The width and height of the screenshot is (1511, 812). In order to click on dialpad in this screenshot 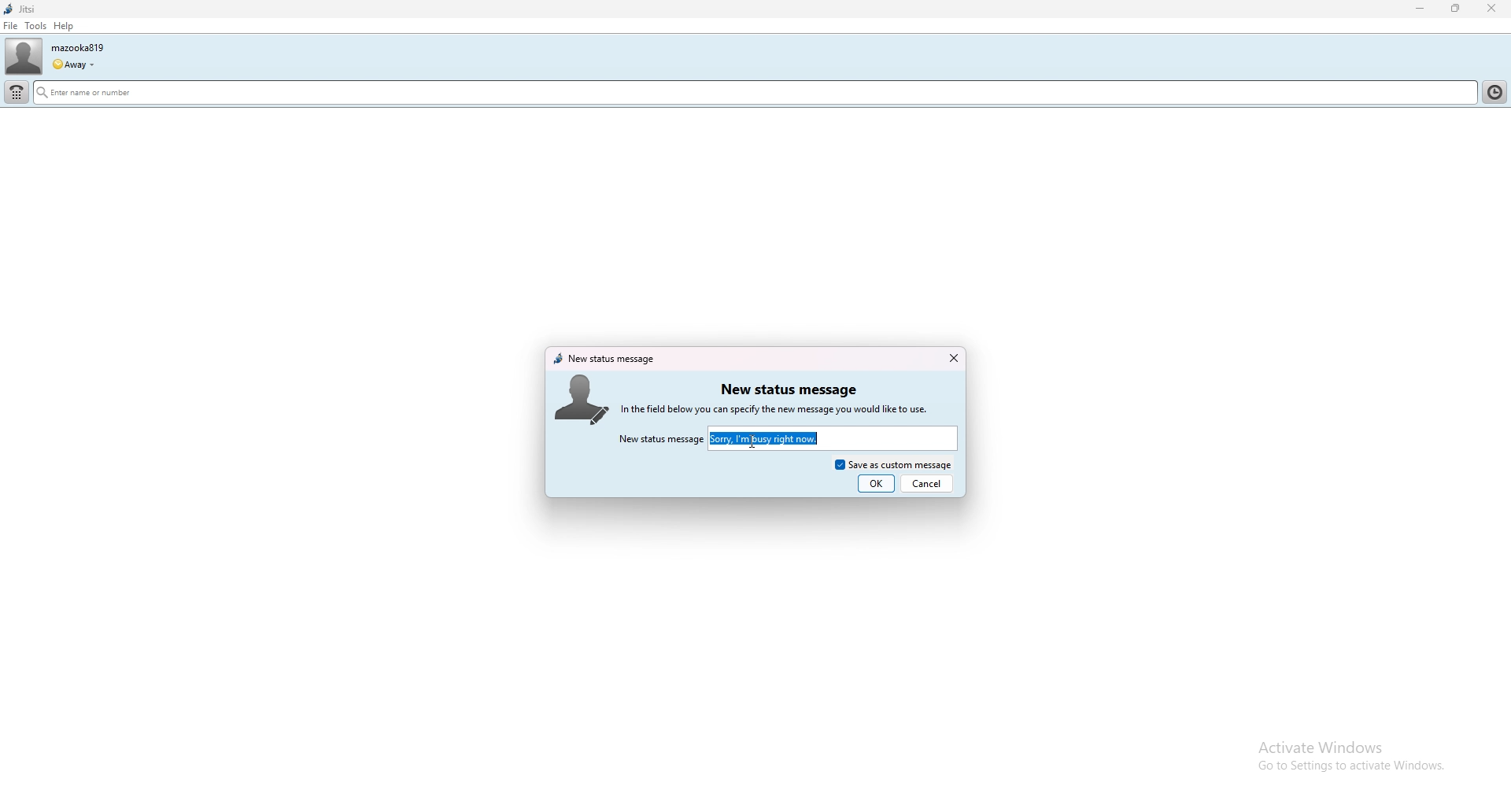, I will do `click(17, 93)`.